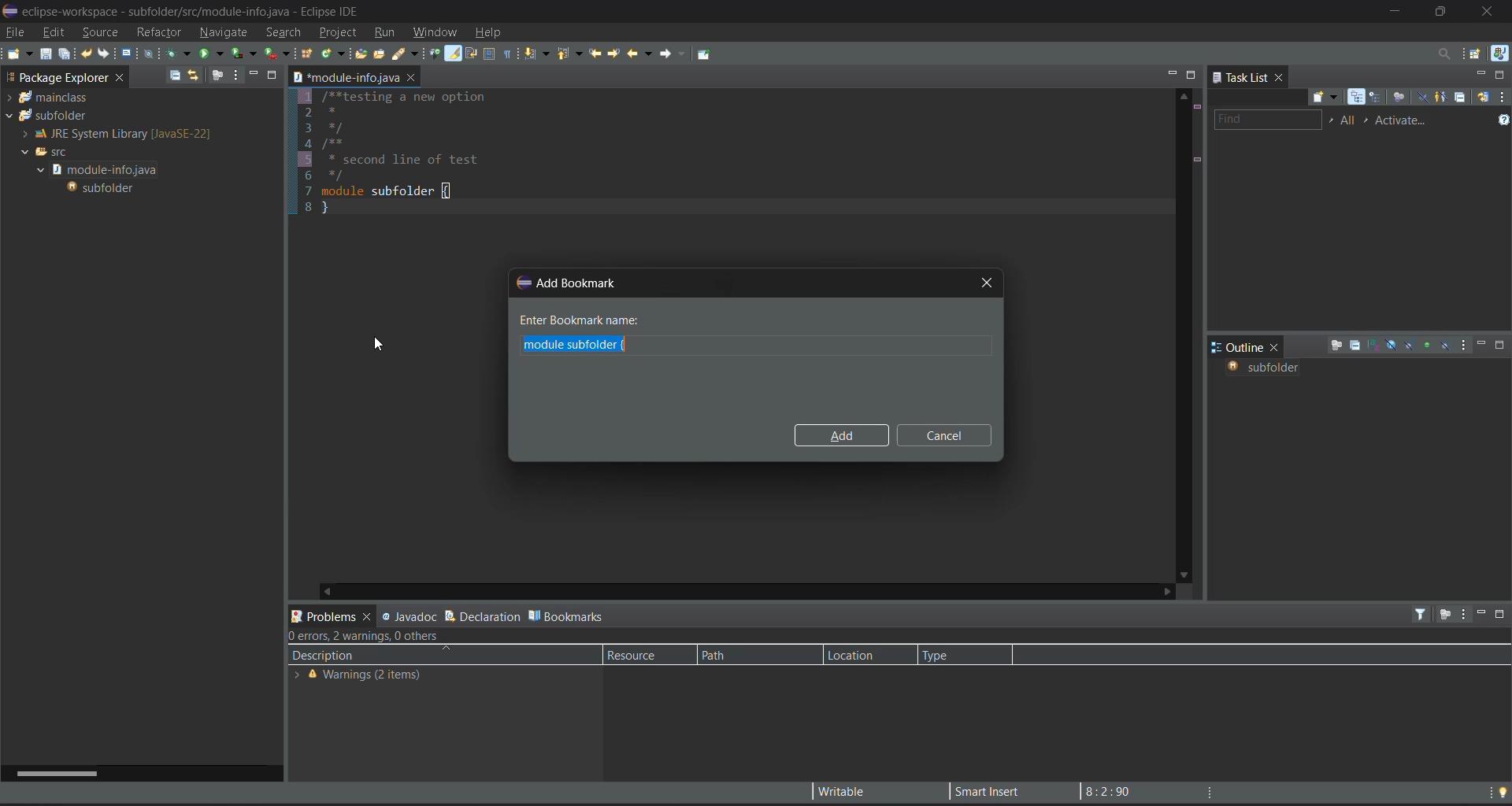 This screenshot has width=1512, height=806. What do you see at coordinates (1499, 54) in the screenshot?
I see `java` at bounding box center [1499, 54].